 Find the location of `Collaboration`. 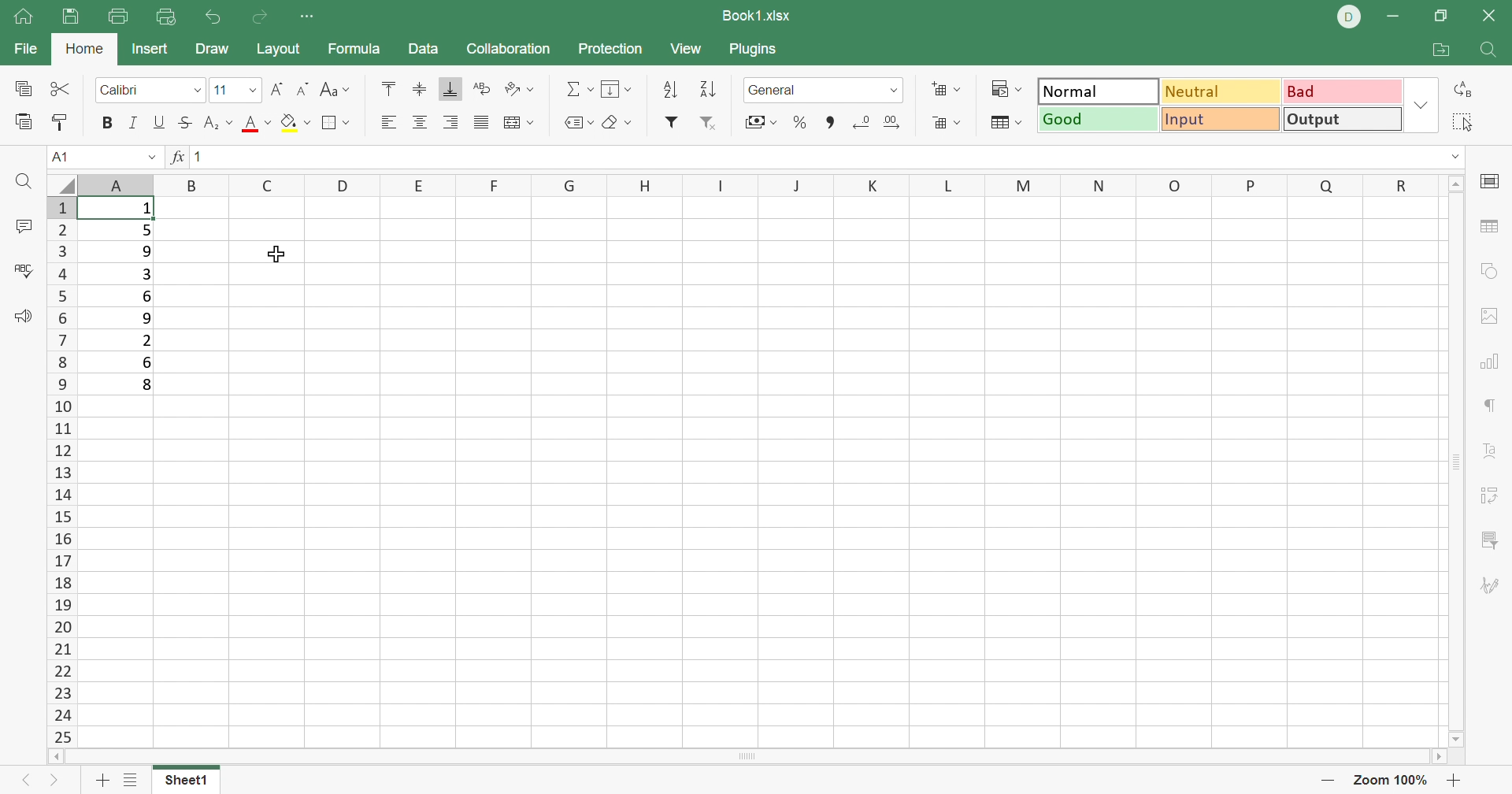

Collaboration is located at coordinates (508, 48).